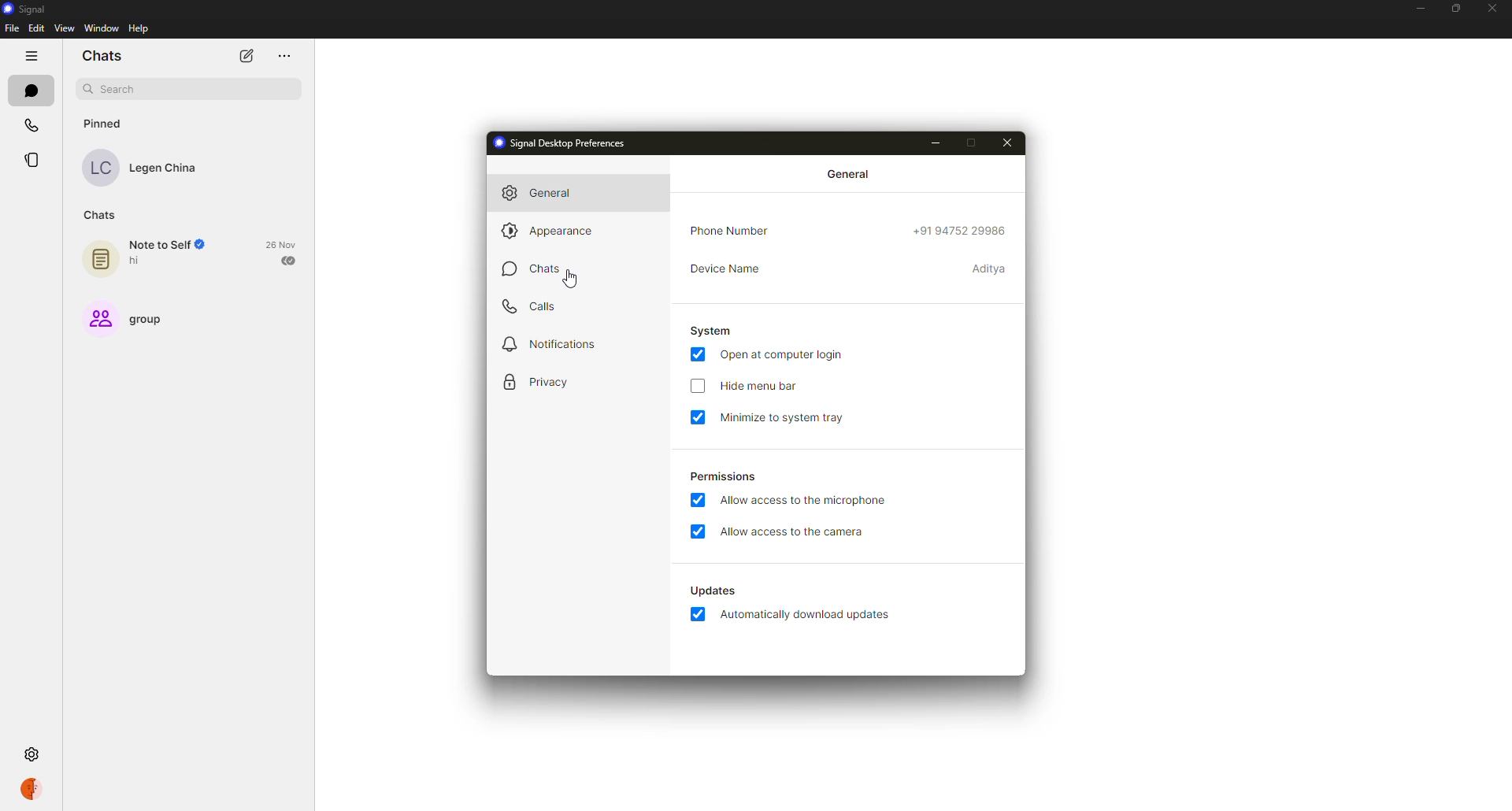  What do you see at coordinates (35, 791) in the screenshot?
I see `profile` at bounding box center [35, 791].